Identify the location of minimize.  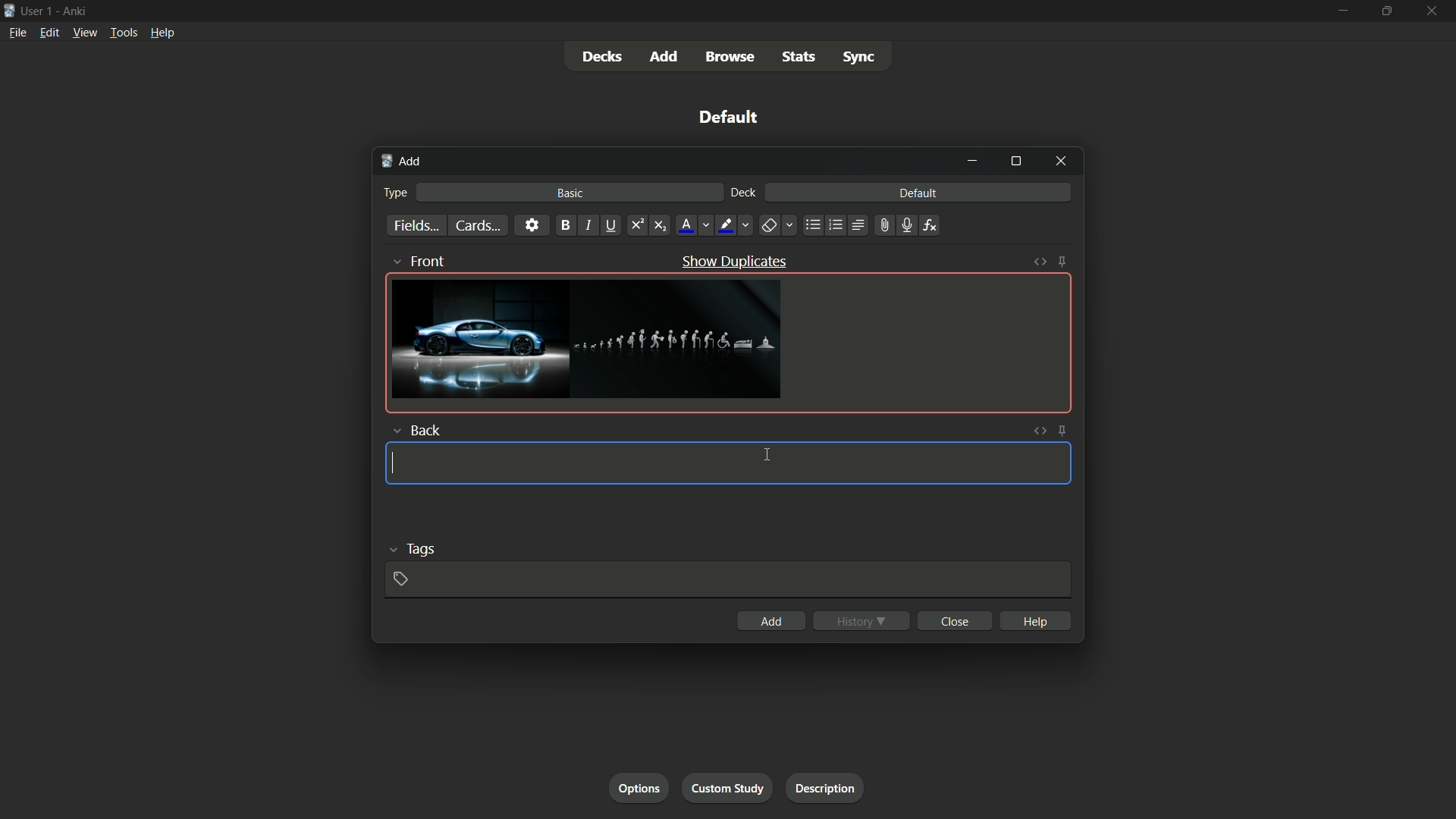
(974, 162).